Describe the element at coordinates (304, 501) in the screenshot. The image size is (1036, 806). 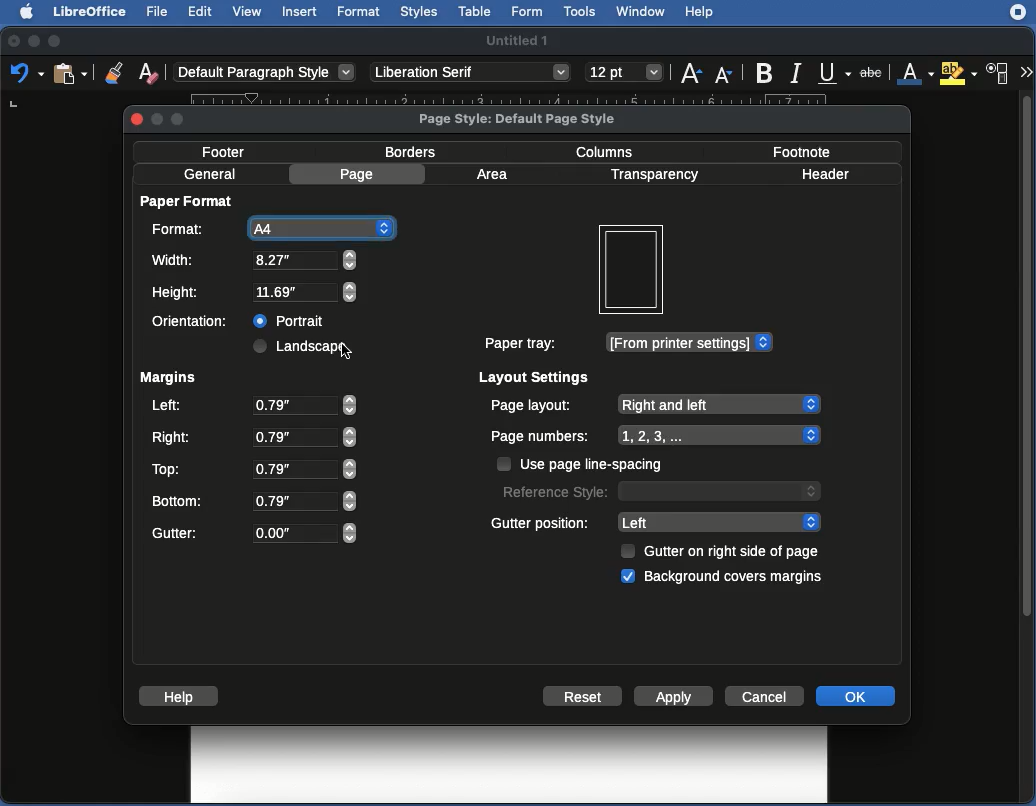
I see `0.79"` at that location.